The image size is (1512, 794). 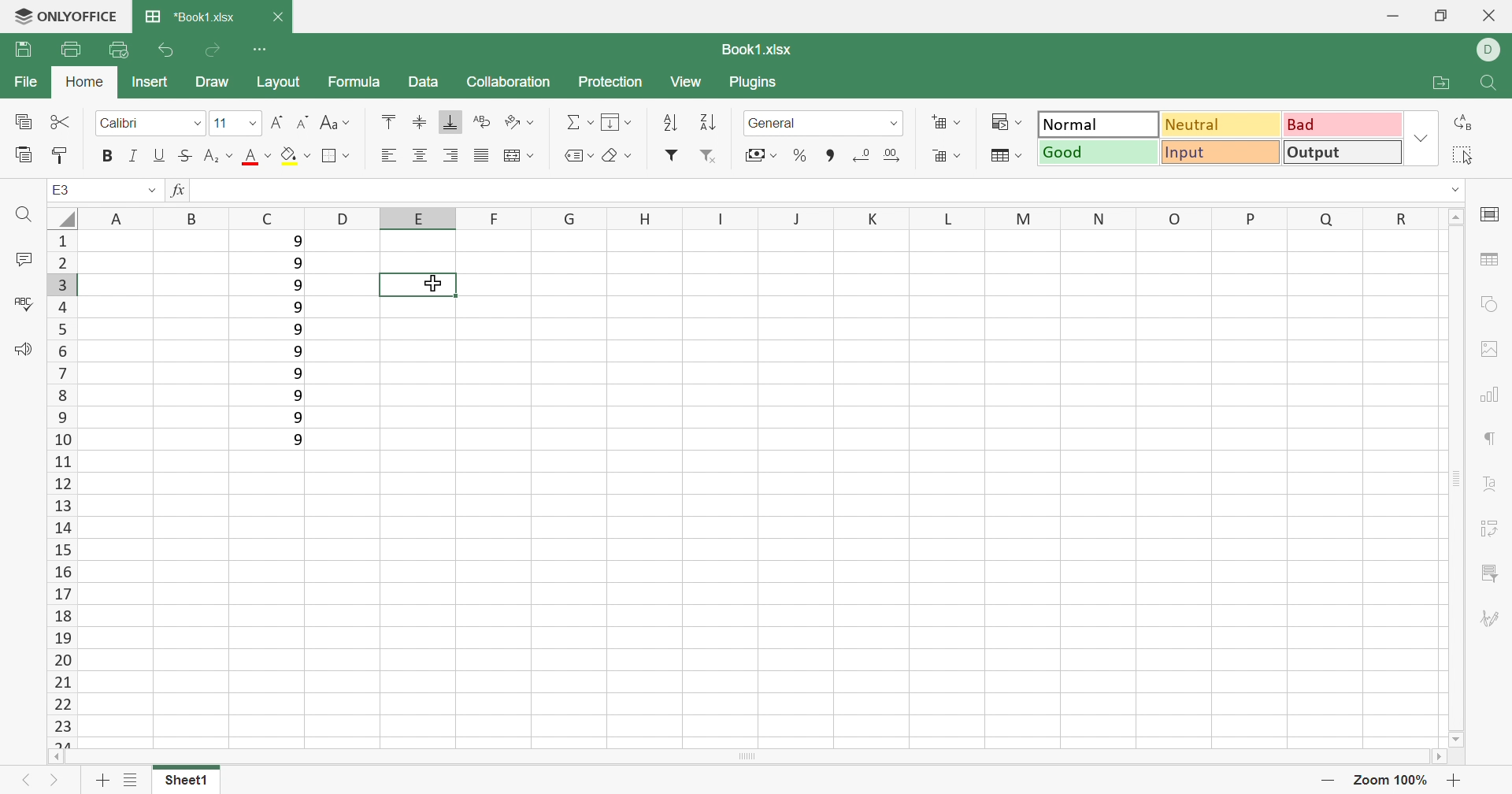 What do you see at coordinates (1006, 155) in the screenshot?
I see `Format table as template` at bounding box center [1006, 155].